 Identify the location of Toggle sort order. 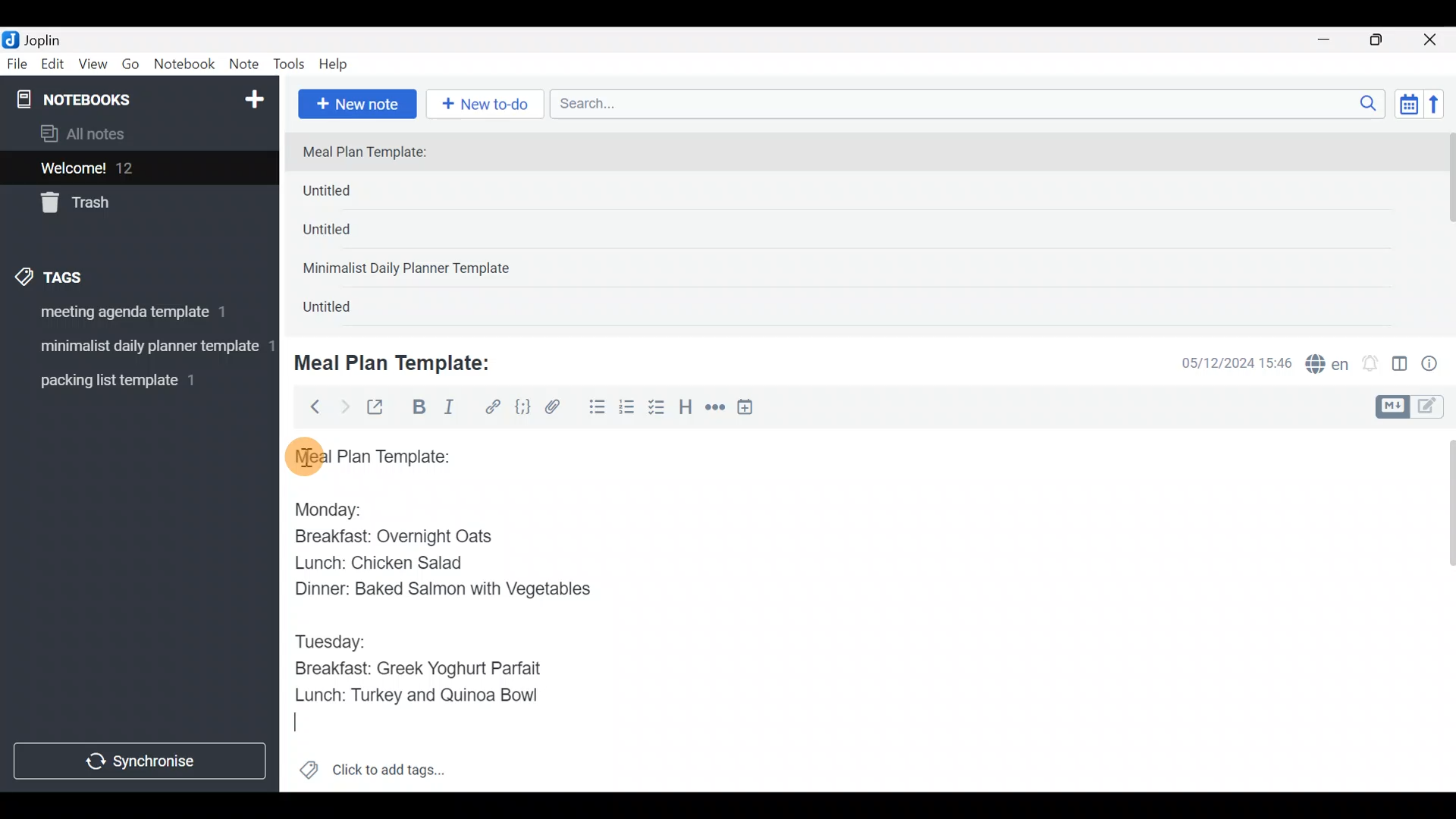
(1408, 105).